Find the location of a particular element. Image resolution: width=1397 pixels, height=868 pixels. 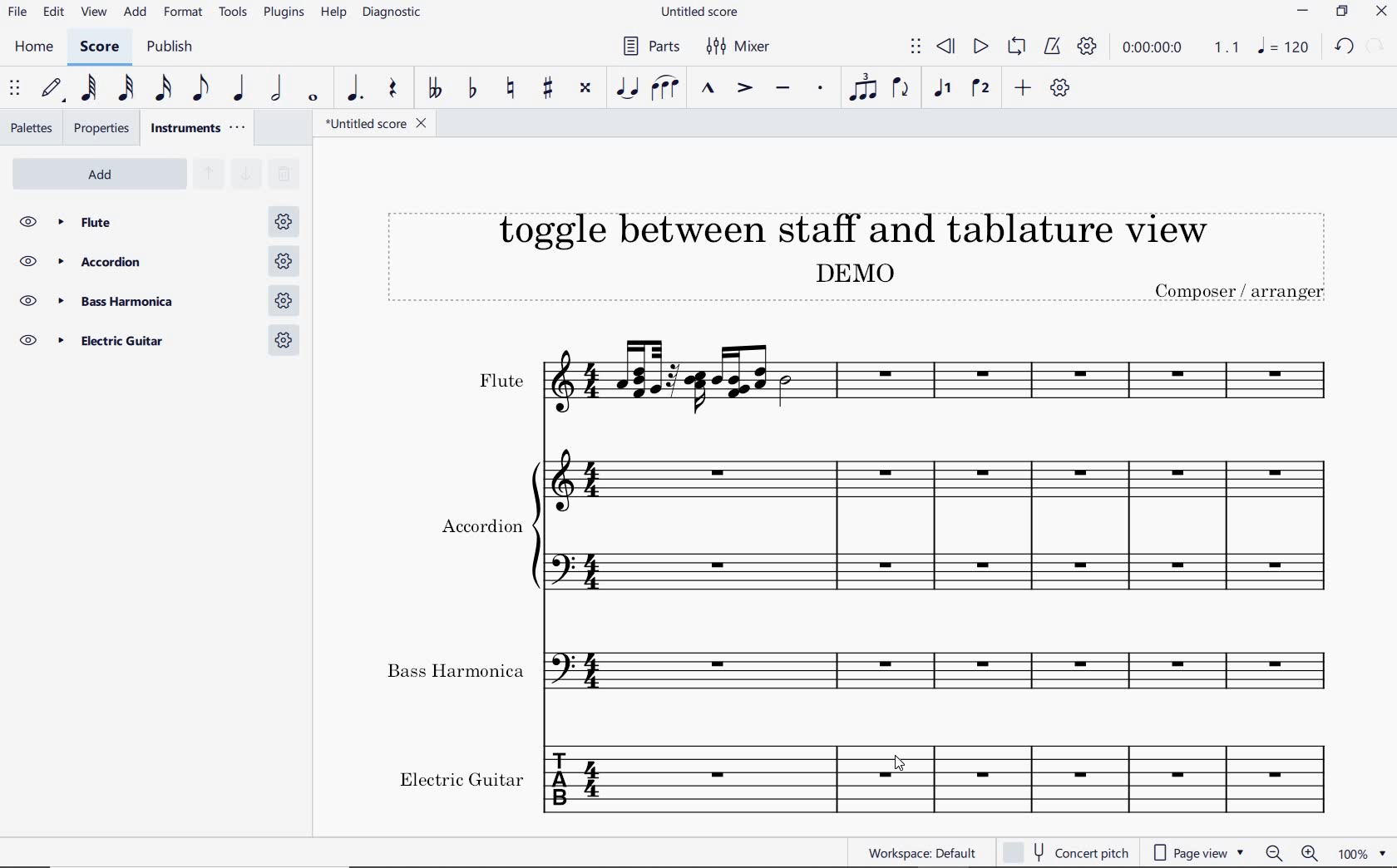

Instrument: Flute is located at coordinates (869, 377).